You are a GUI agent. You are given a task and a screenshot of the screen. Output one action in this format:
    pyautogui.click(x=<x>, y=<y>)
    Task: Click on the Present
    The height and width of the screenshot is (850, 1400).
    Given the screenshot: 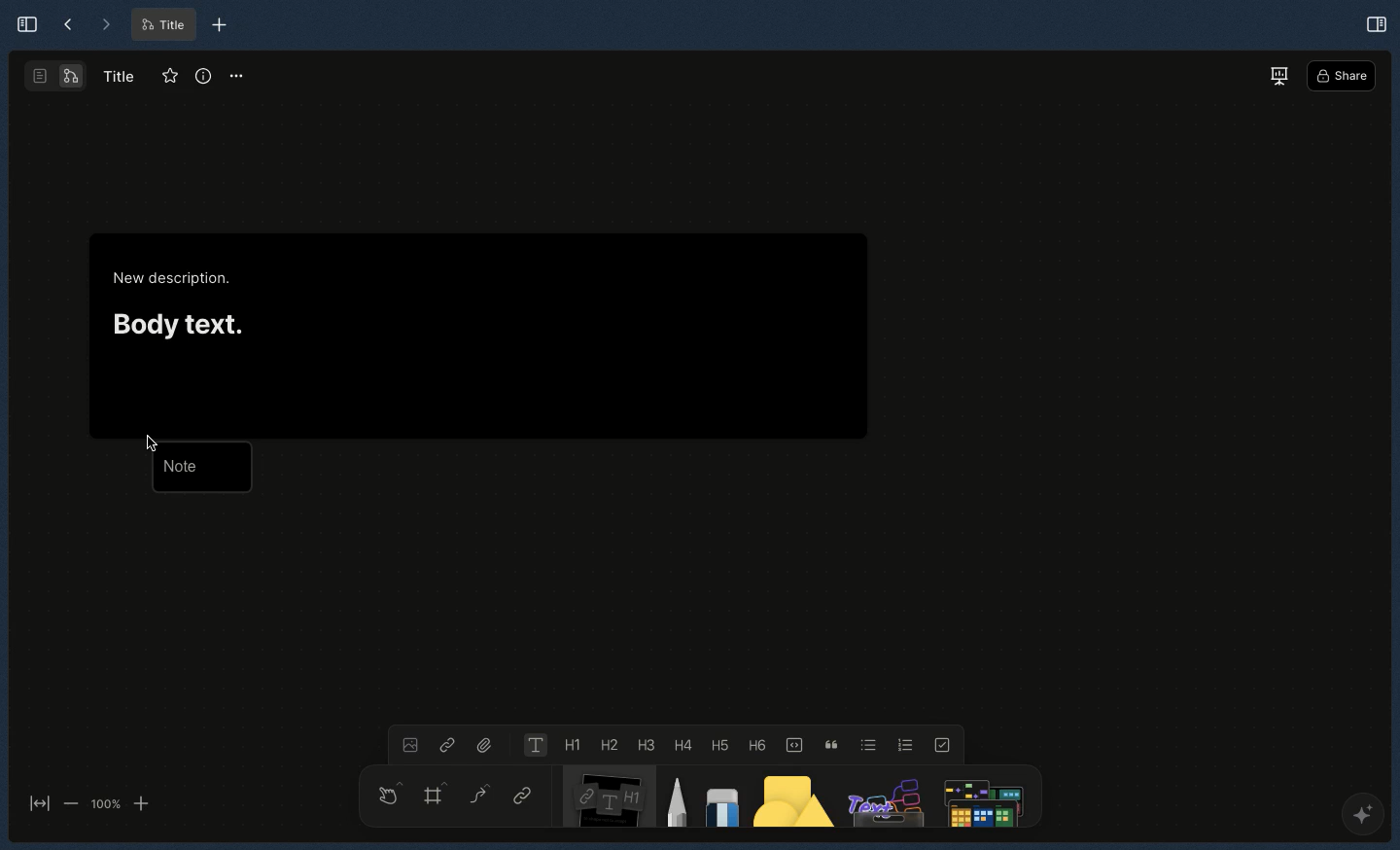 What is the action you would take?
    pyautogui.click(x=1278, y=75)
    